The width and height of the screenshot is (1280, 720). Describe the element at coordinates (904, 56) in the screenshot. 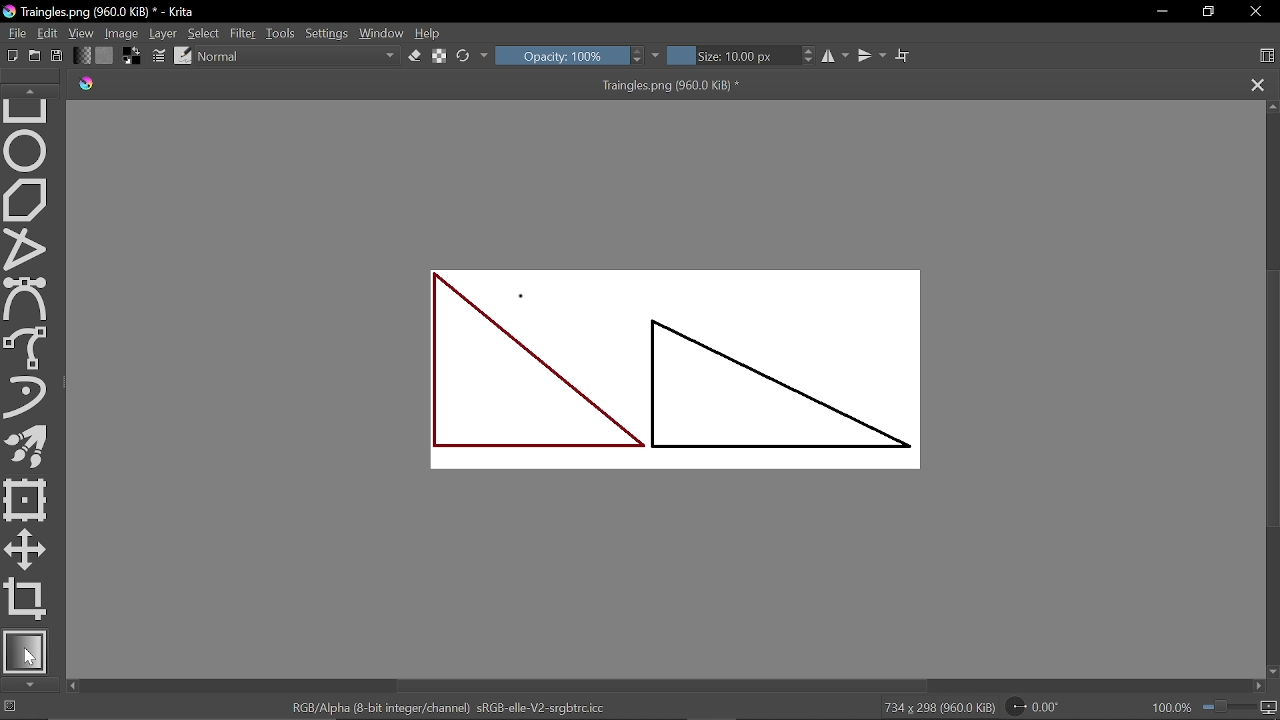

I see `Wrap text tool` at that location.